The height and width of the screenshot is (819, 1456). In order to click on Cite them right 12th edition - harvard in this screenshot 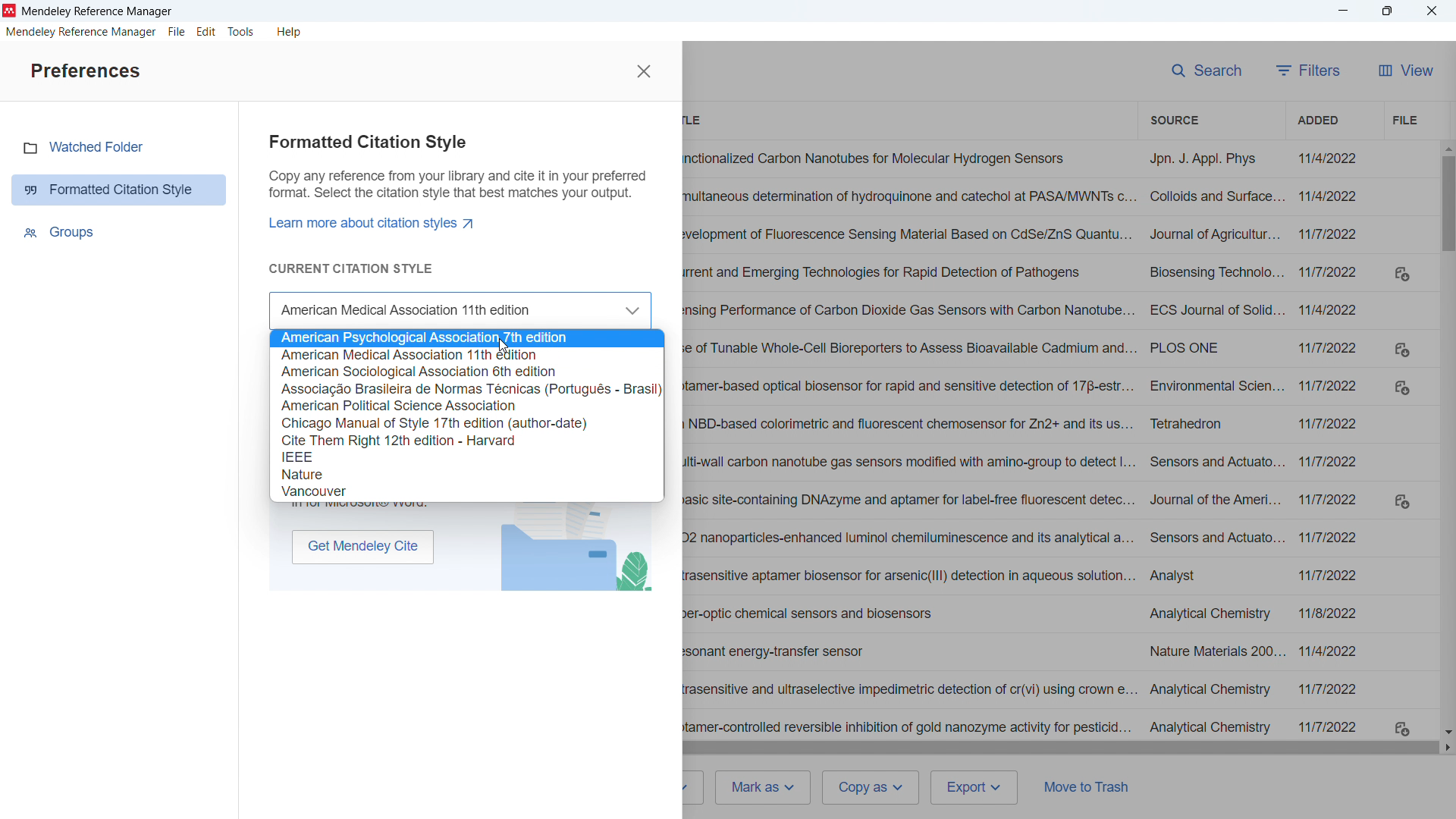, I will do `click(466, 440)`.